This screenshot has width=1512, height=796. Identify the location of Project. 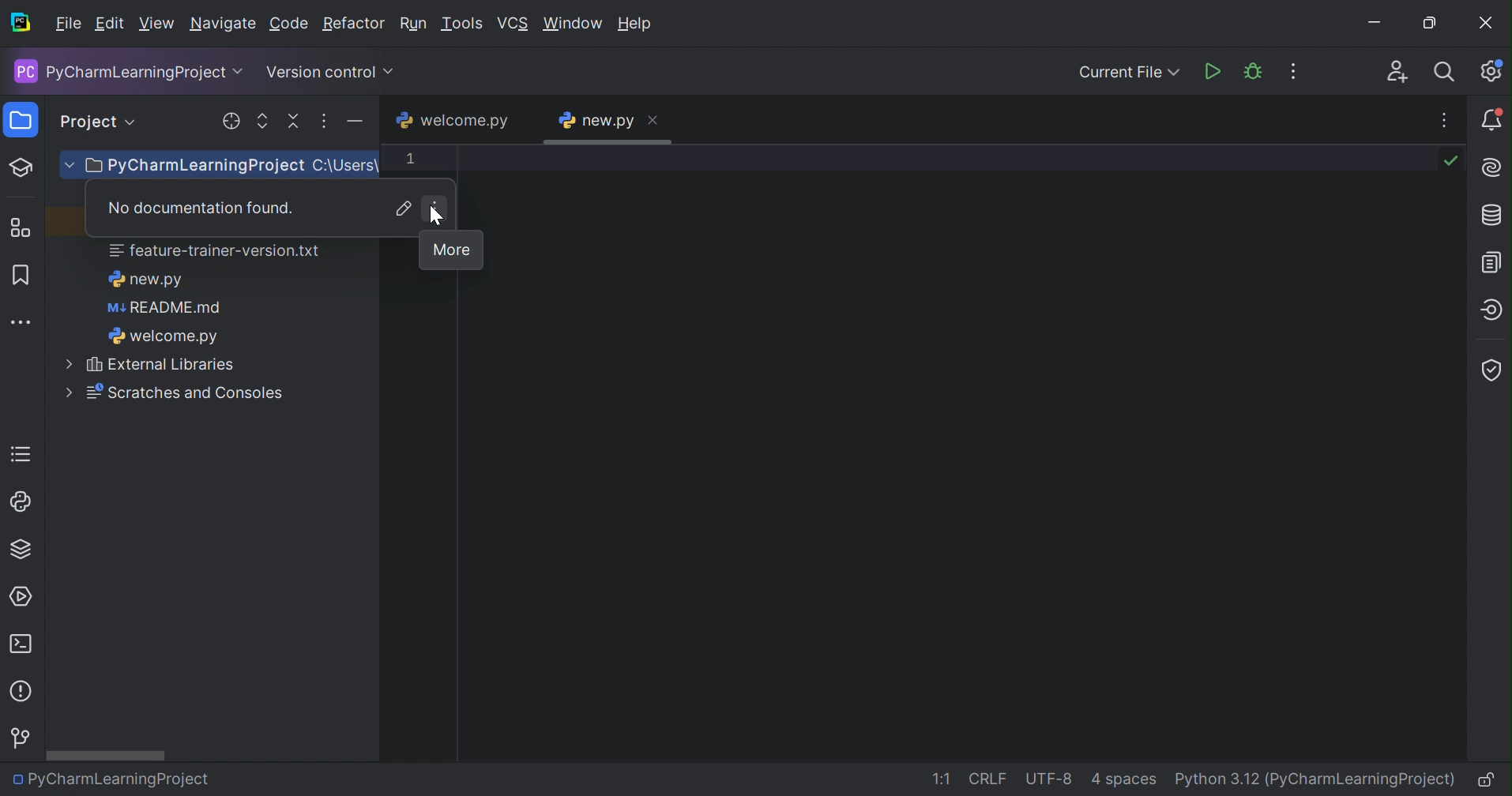
(88, 119).